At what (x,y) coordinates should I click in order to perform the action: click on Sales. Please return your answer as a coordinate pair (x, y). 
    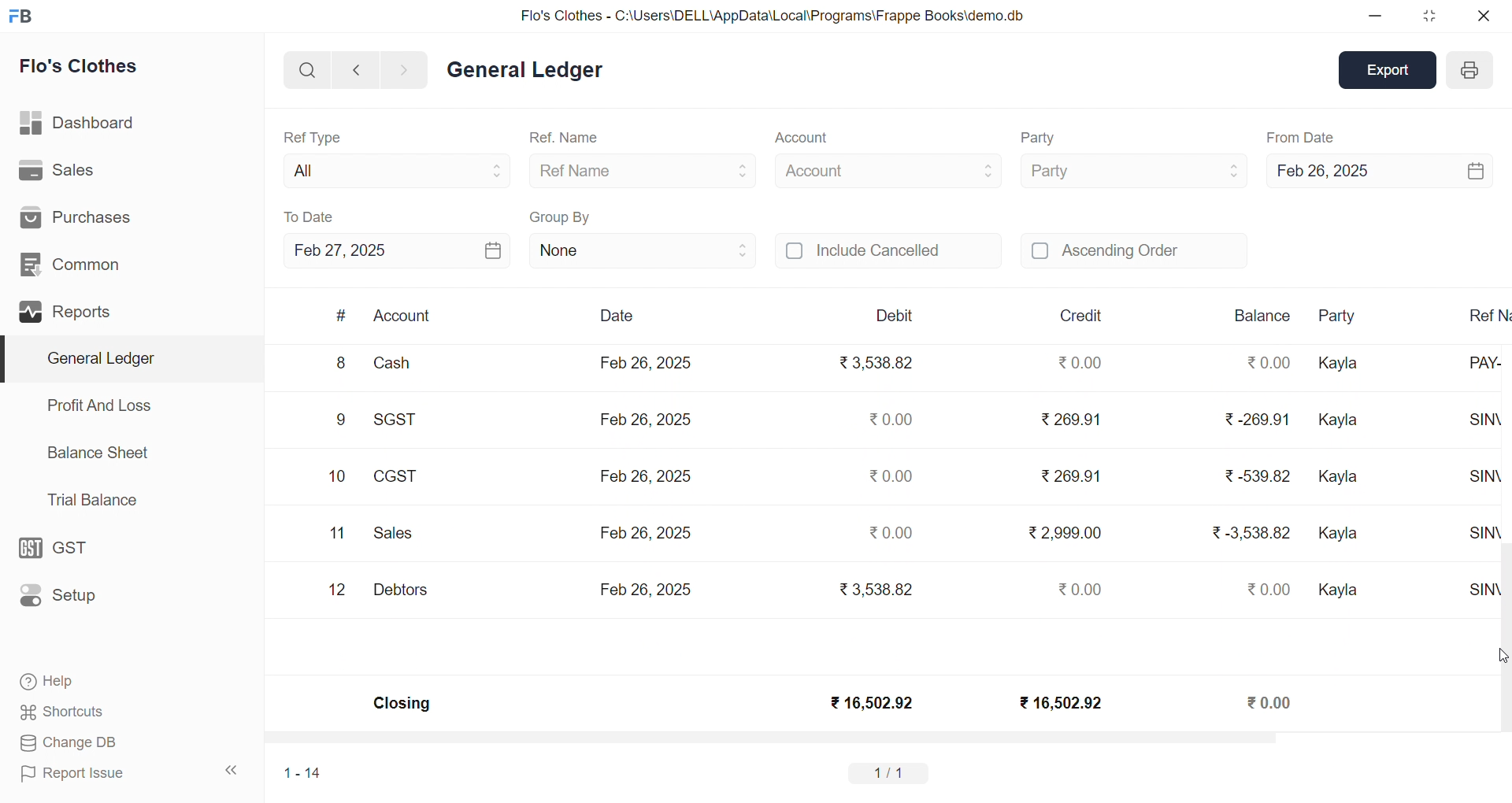
    Looking at the image, I should click on (57, 168).